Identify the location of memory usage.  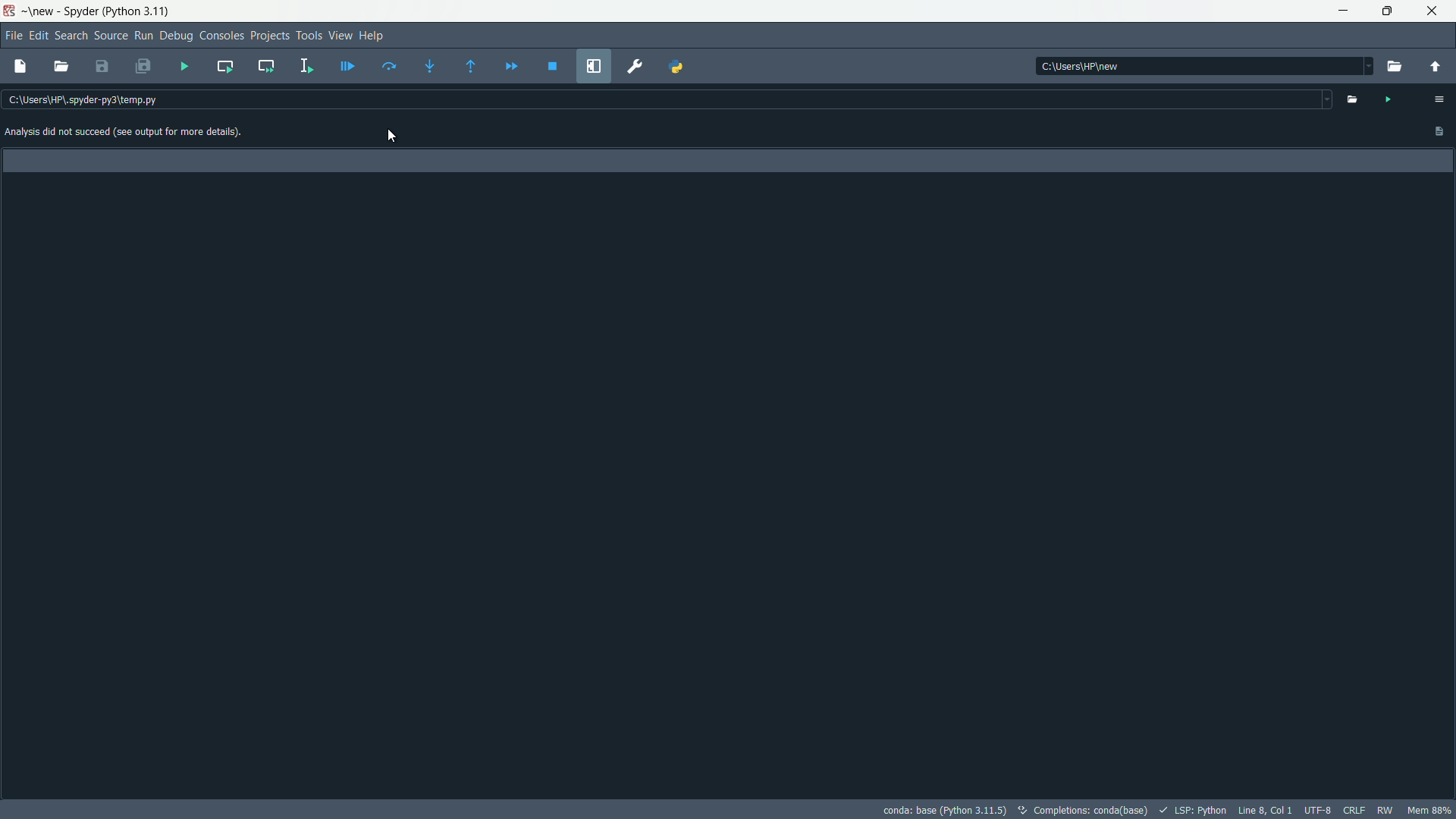
(1430, 810).